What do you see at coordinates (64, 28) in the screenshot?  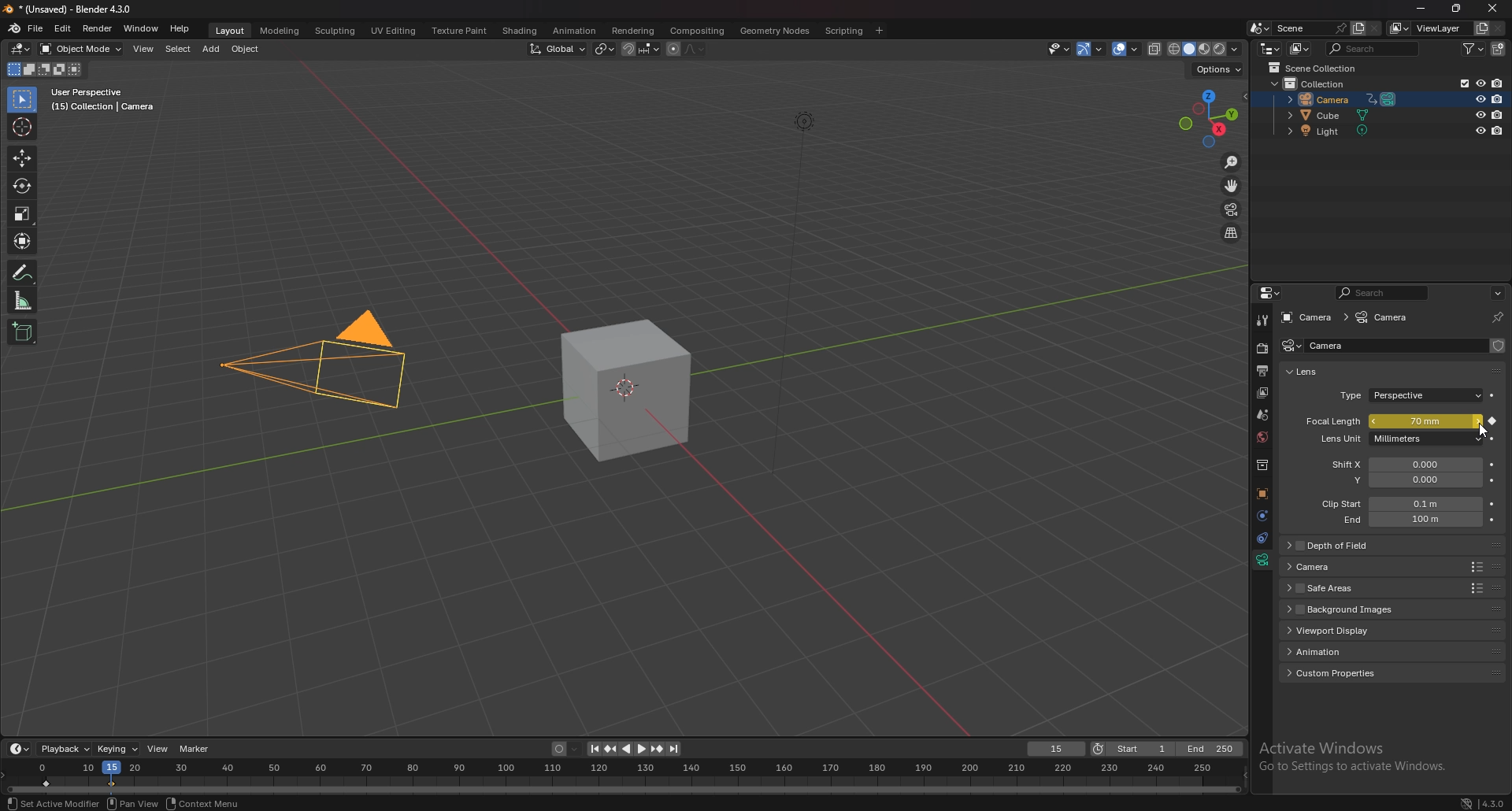 I see `edit` at bounding box center [64, 28].